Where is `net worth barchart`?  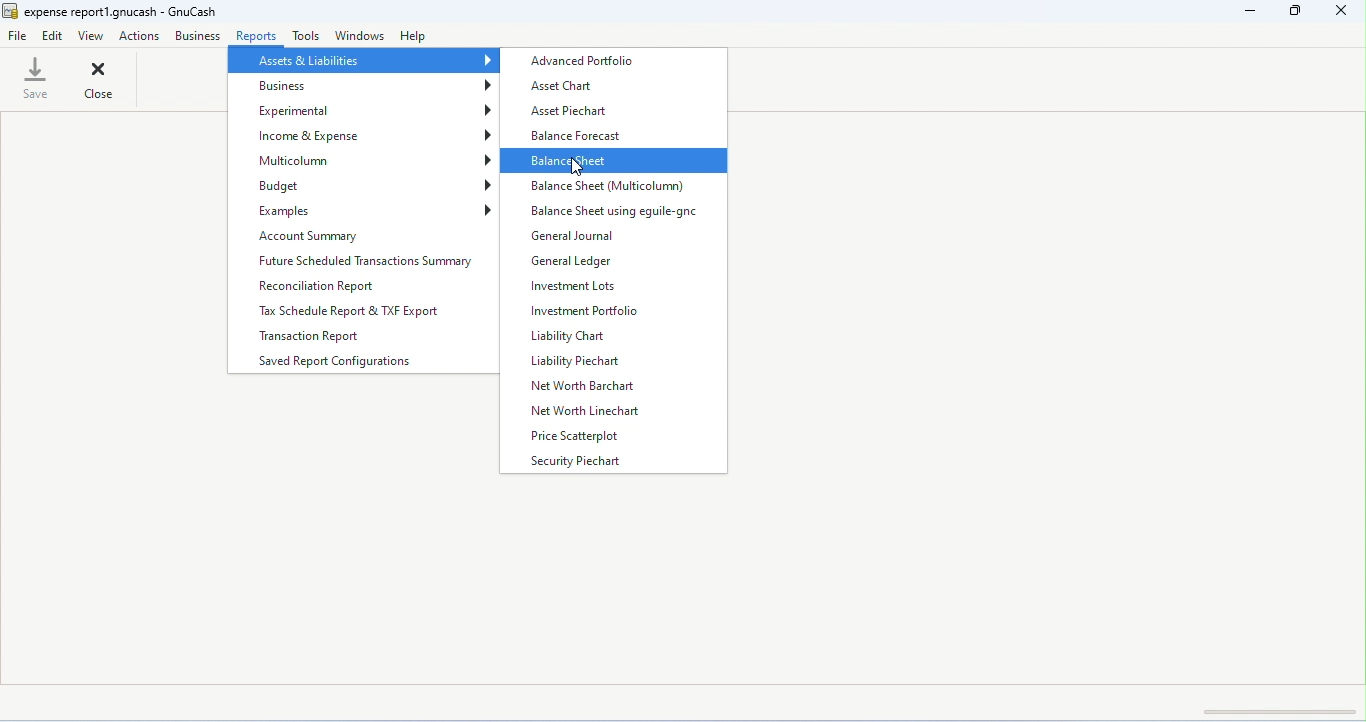 net worth barchart is located at coordinates (585, 386).